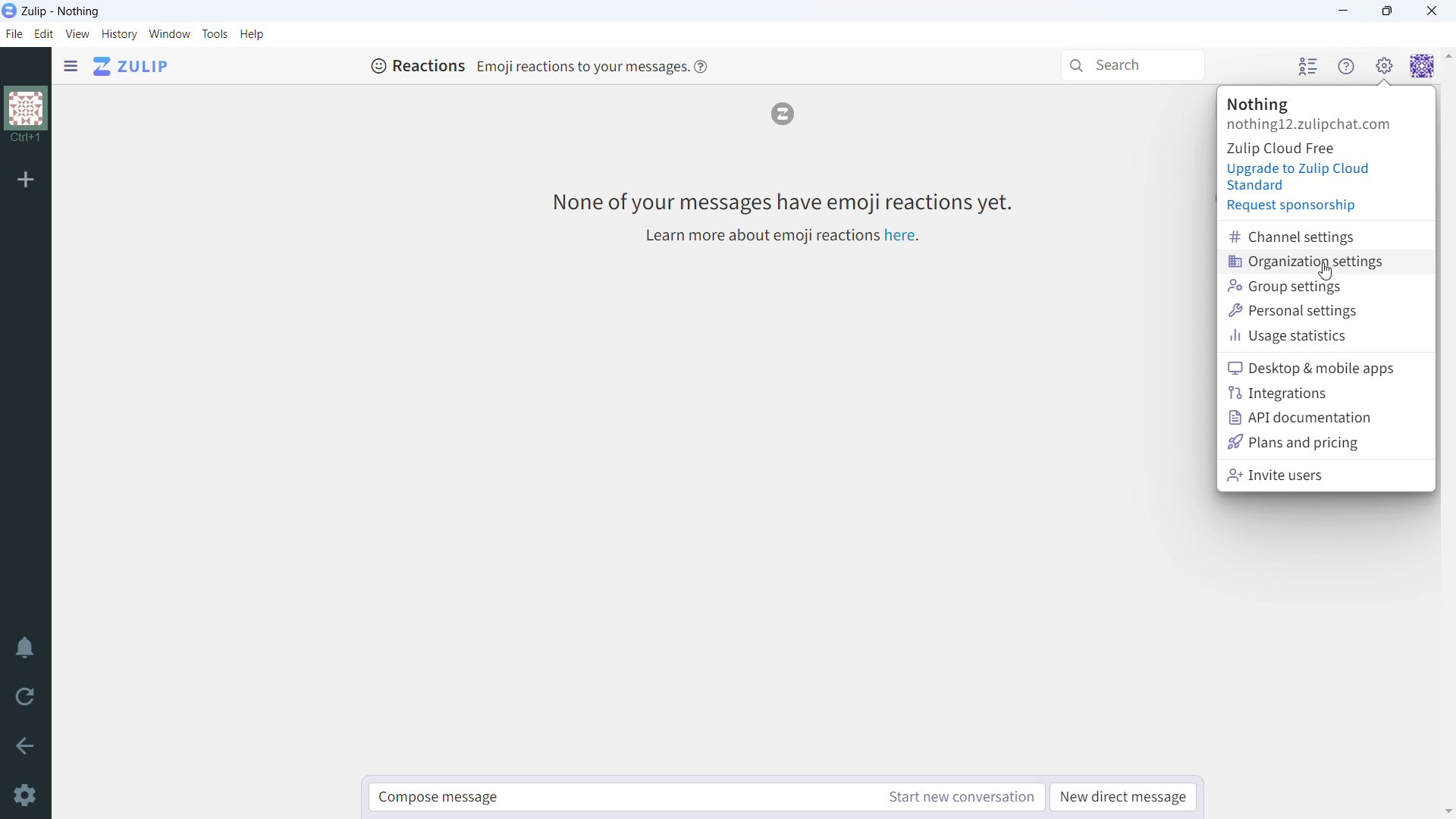 This screenshot has height=819, width=1456. What do you see at coordinates (1258, 105) in the screenshot?
I see `organization` at bounding box center [1258, 105].